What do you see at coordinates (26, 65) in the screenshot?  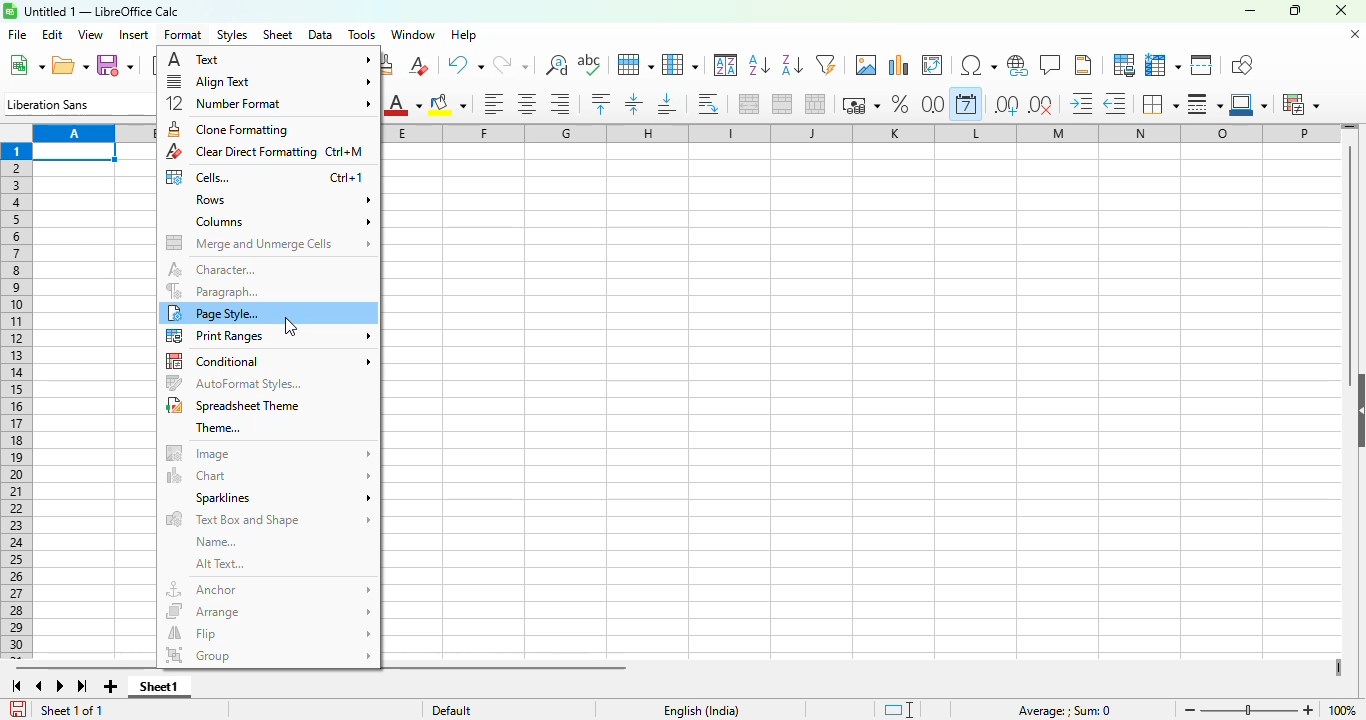 I see `new` at bounding box center [26, 65].